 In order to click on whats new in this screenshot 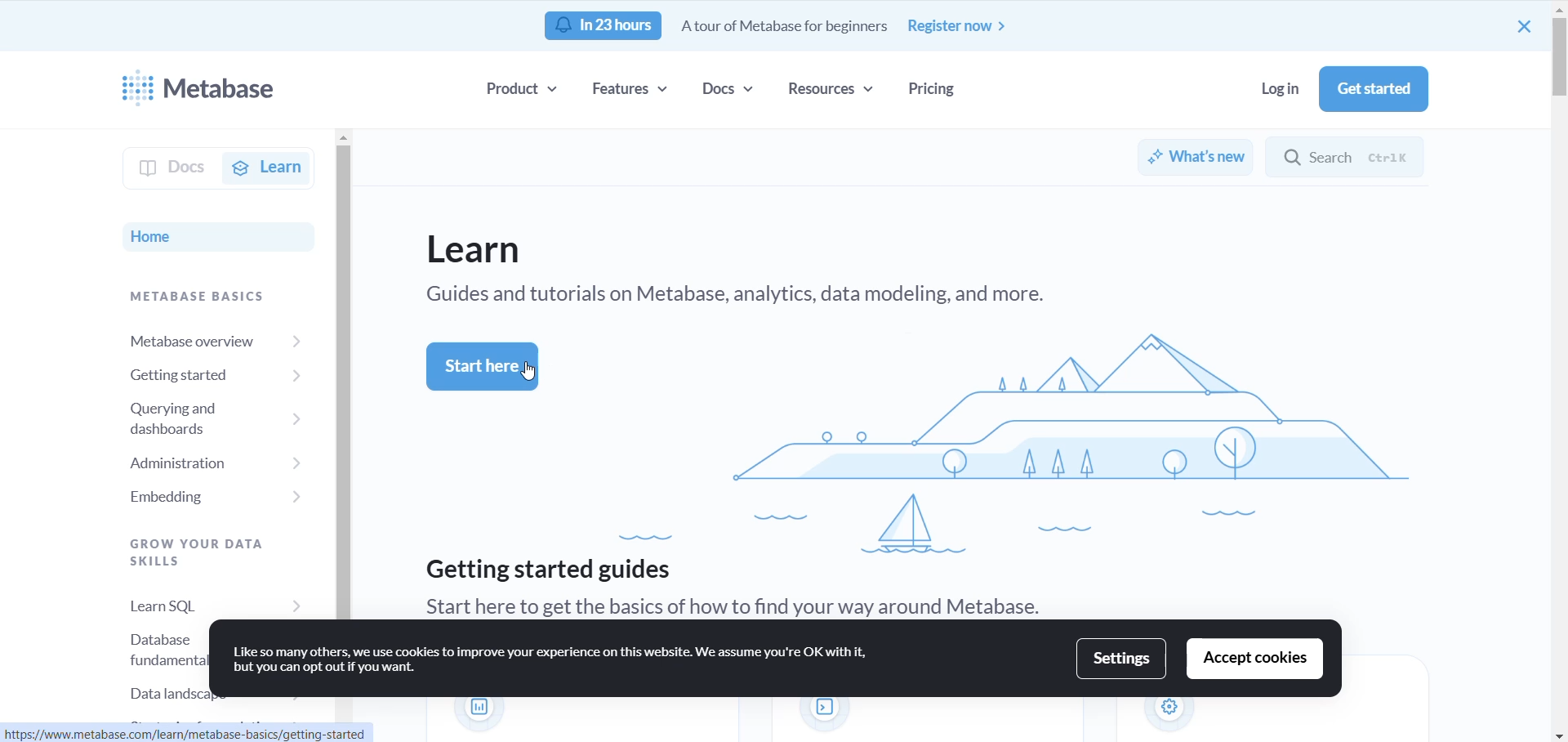, I will do `click(1195, 159)`.